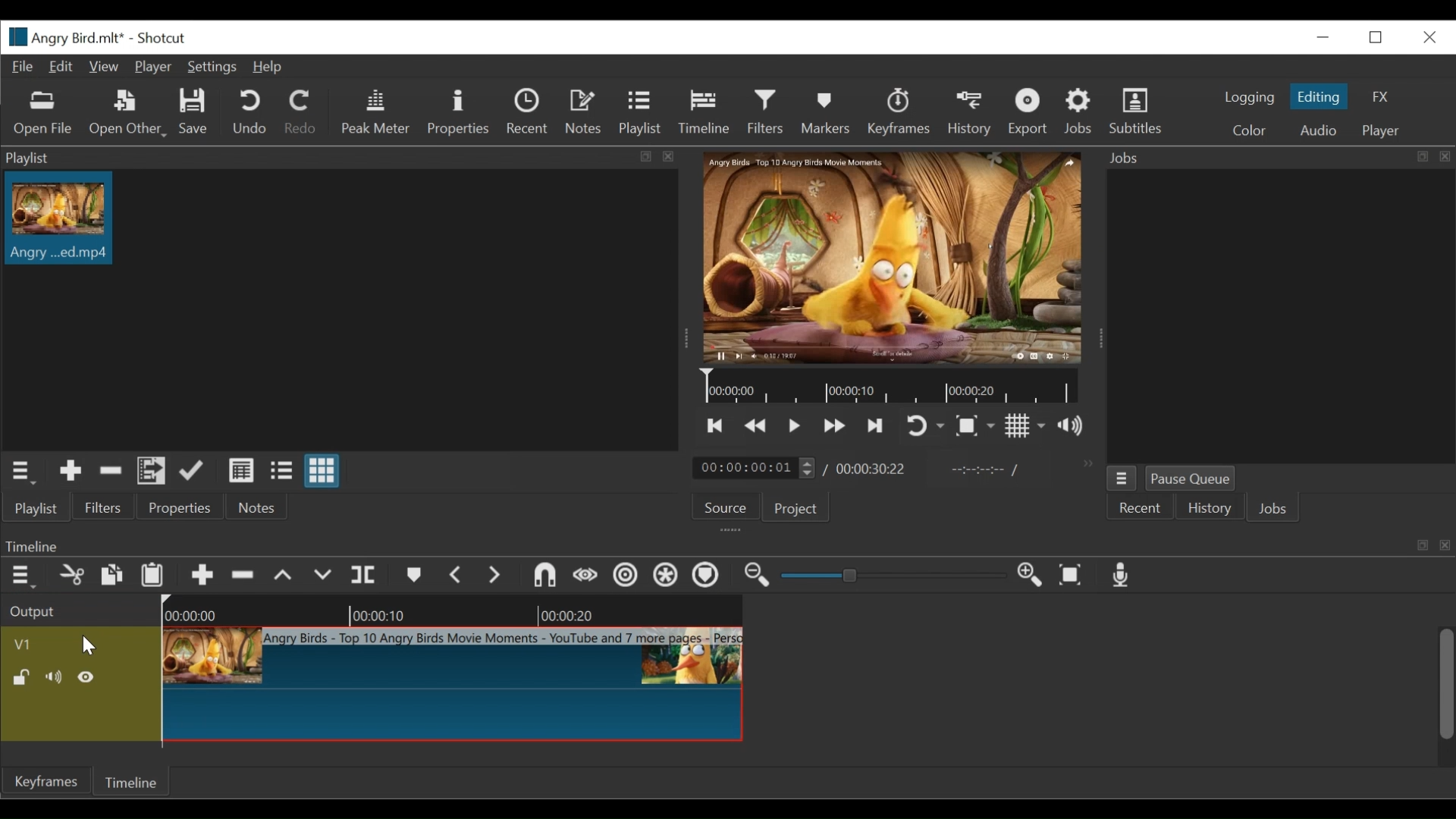 This screenshot has height=819, width=1456. What do you see at coordinates (44, 507) in the screenshot?
I see `Playlist` at bounding box center [44, 507].